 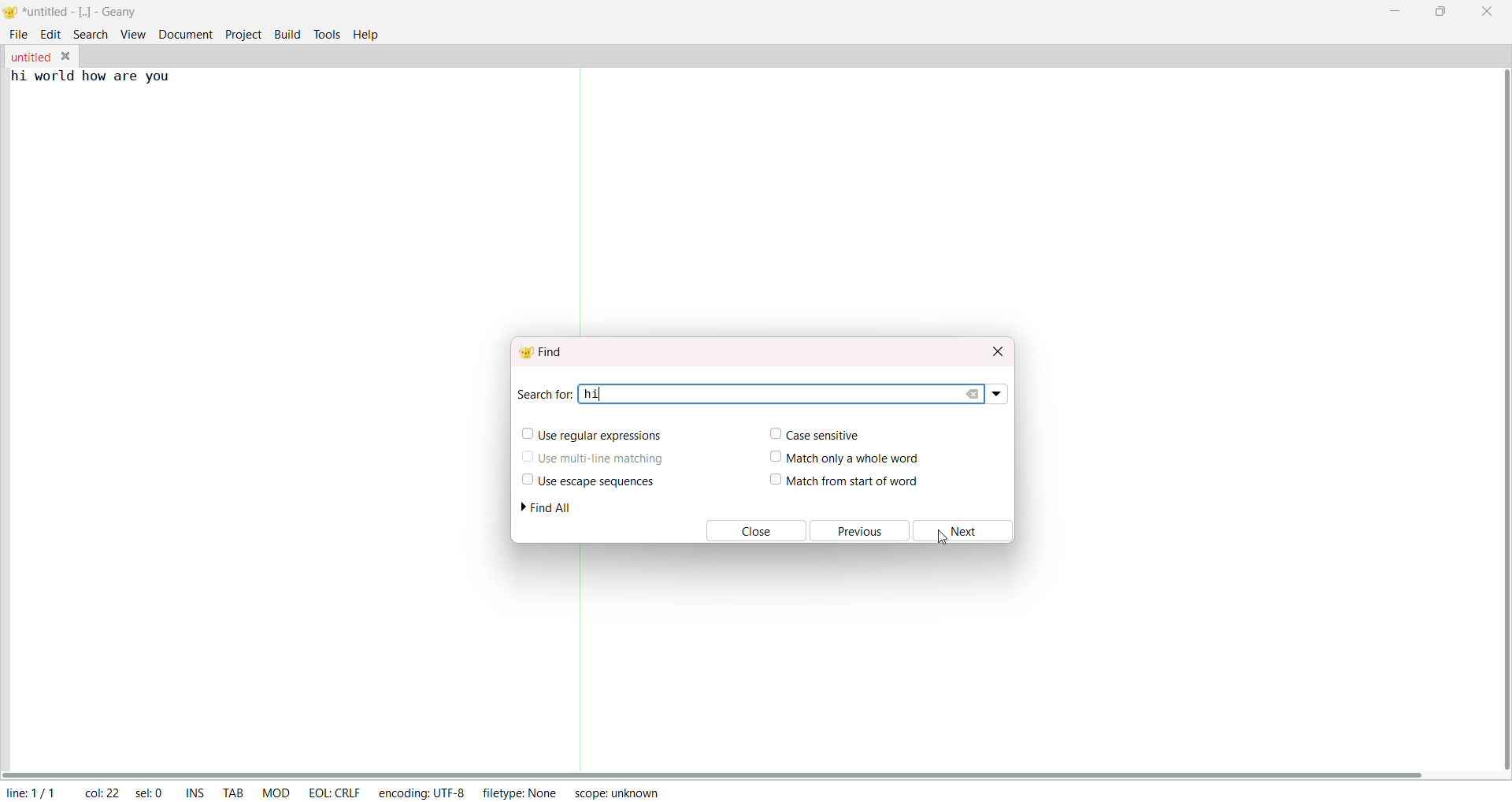 I want to click on close, so click(x=1486, y=12).